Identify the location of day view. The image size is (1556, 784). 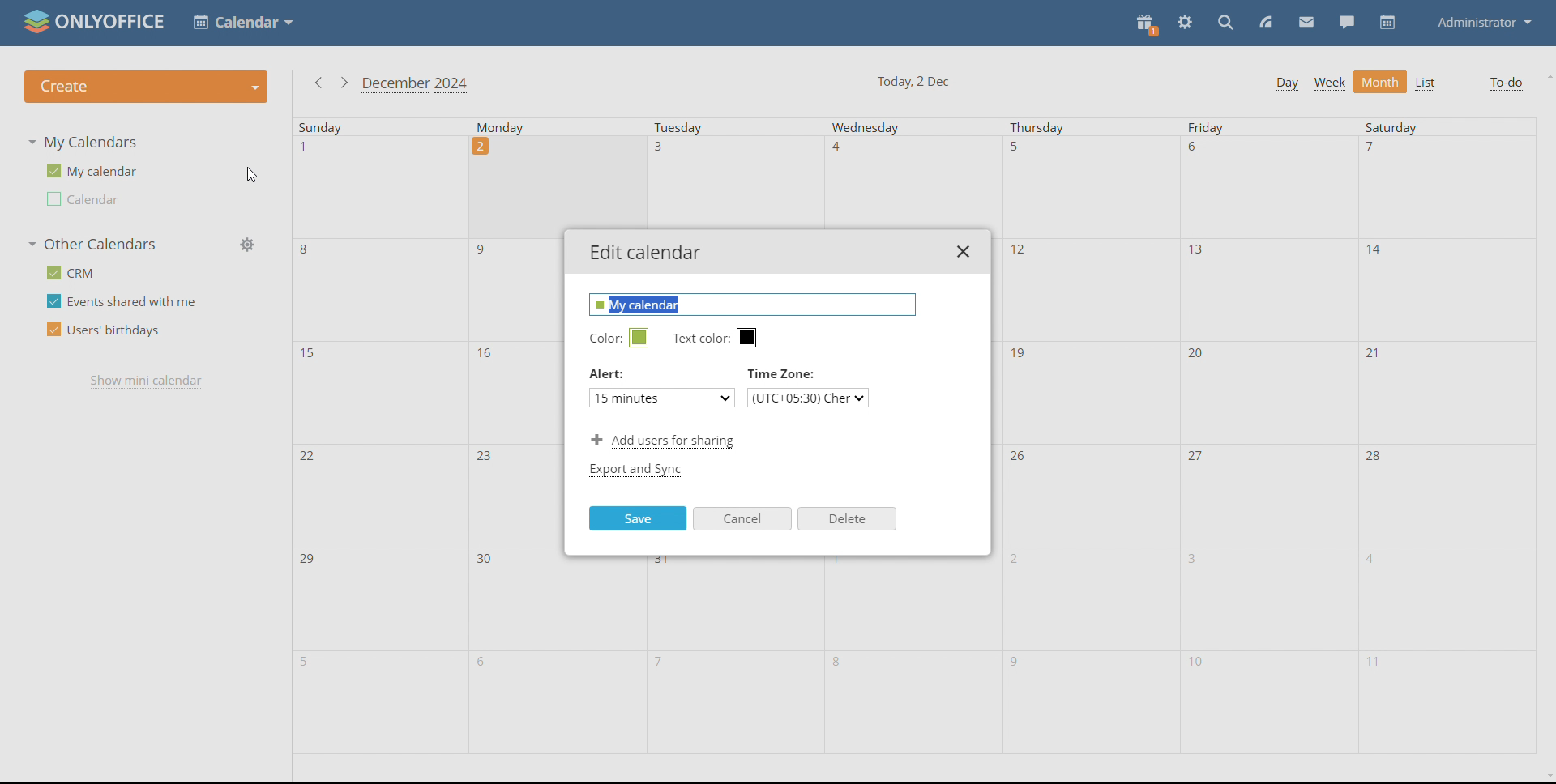
(1287, 83).